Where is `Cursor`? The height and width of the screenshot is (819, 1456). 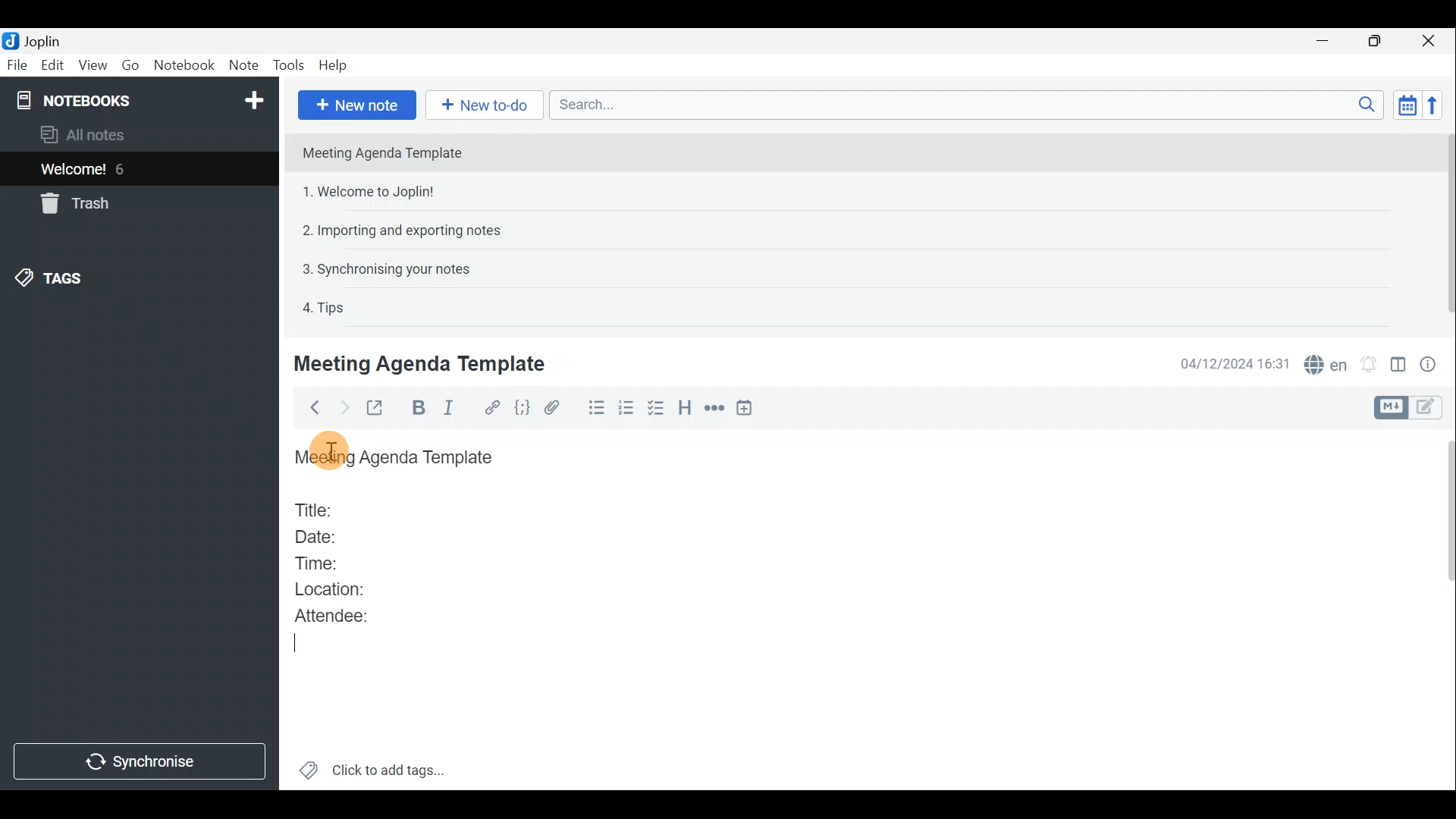 Cursor is located at coordinates (297, 647).